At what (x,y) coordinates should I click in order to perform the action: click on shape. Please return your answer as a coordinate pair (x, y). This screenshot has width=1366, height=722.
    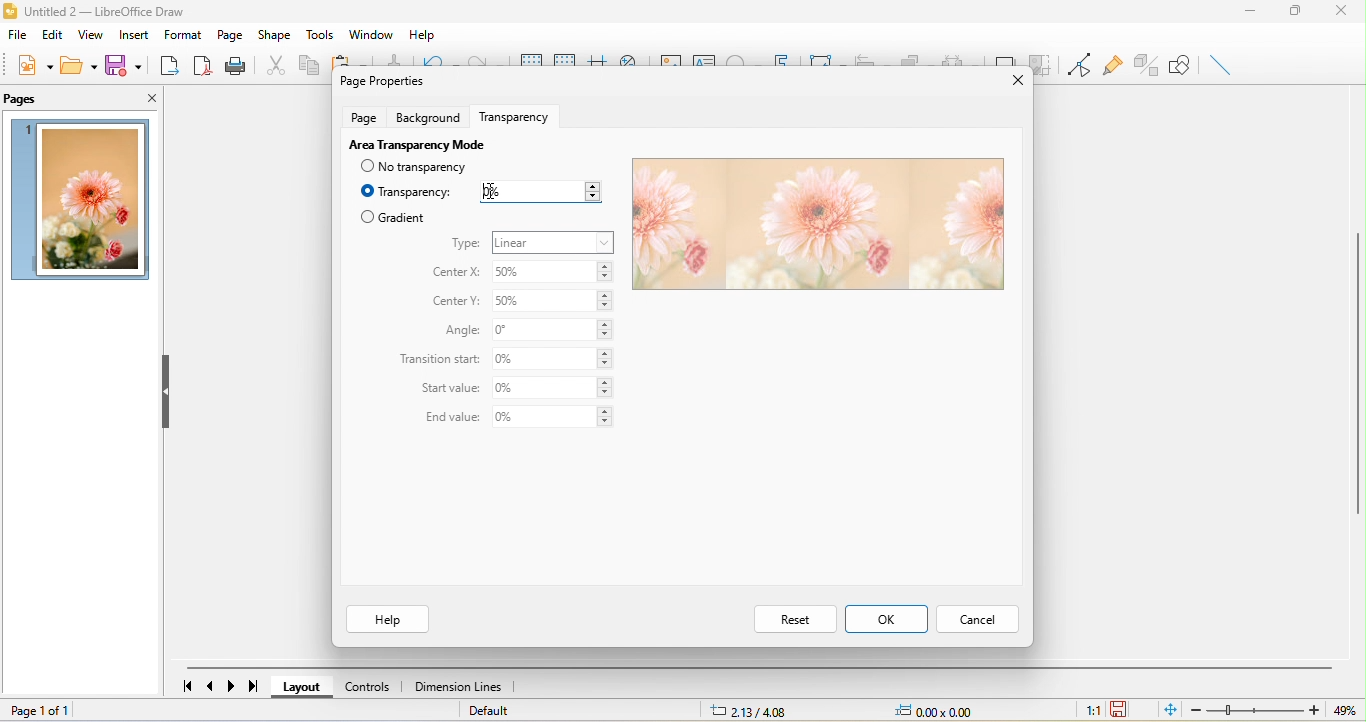
    Looking at the image, I should click on (274, 36).